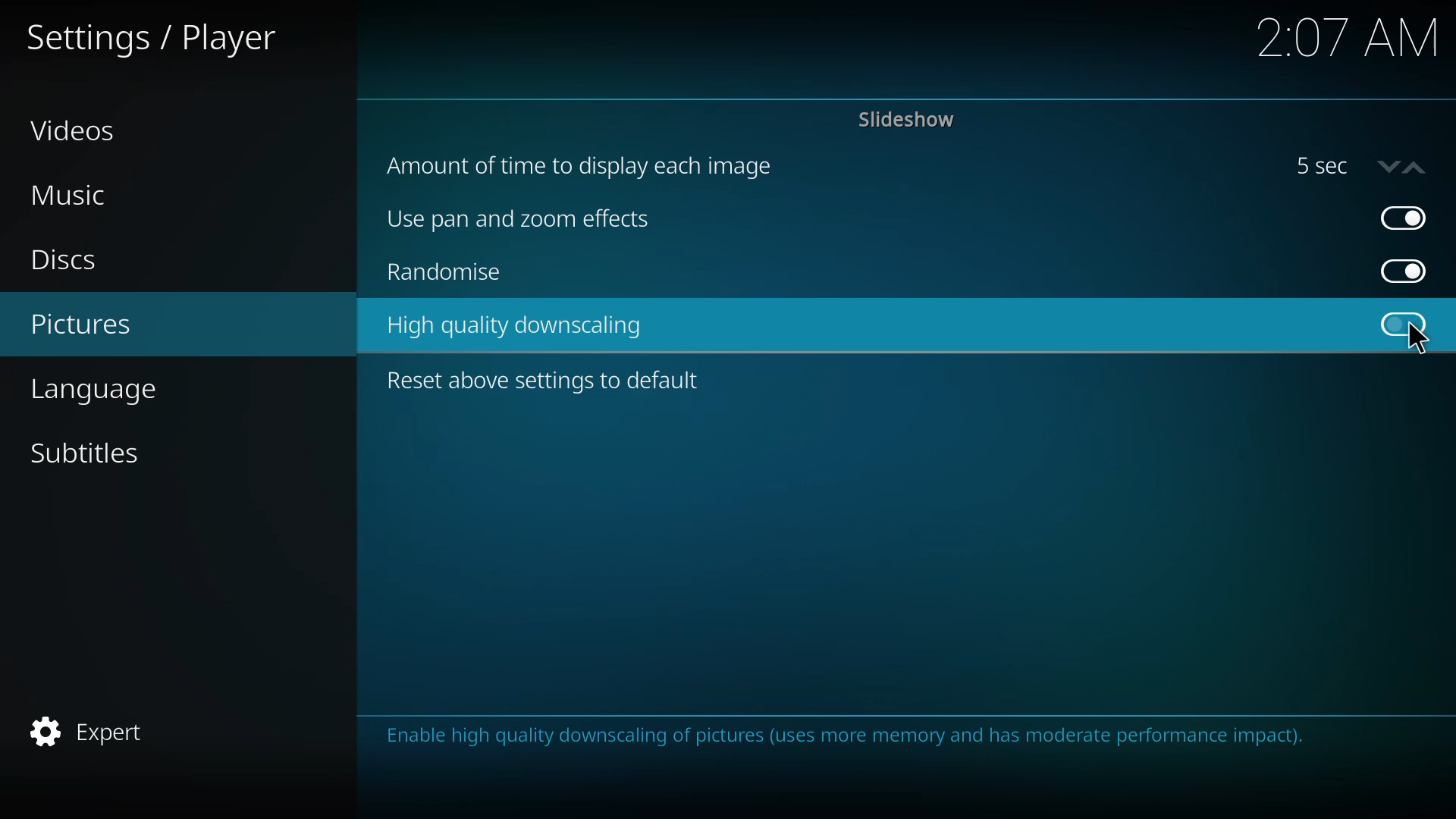  What do you see at coordinates (92, 453) in the screenshot?
I see `subtitles` at bounding box center [92, 453].